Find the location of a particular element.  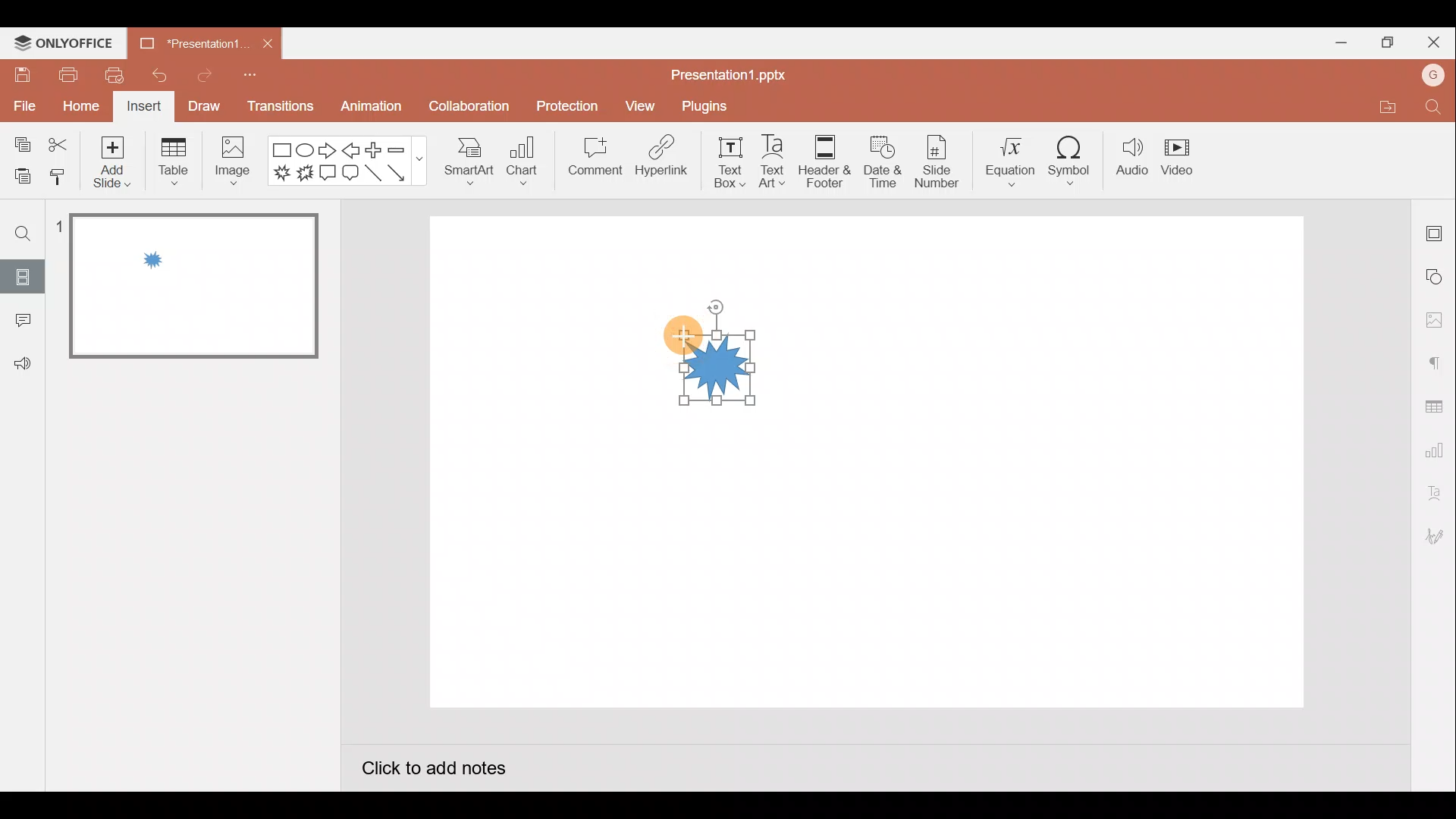

Minimize is located at coordinates (1339, 42).